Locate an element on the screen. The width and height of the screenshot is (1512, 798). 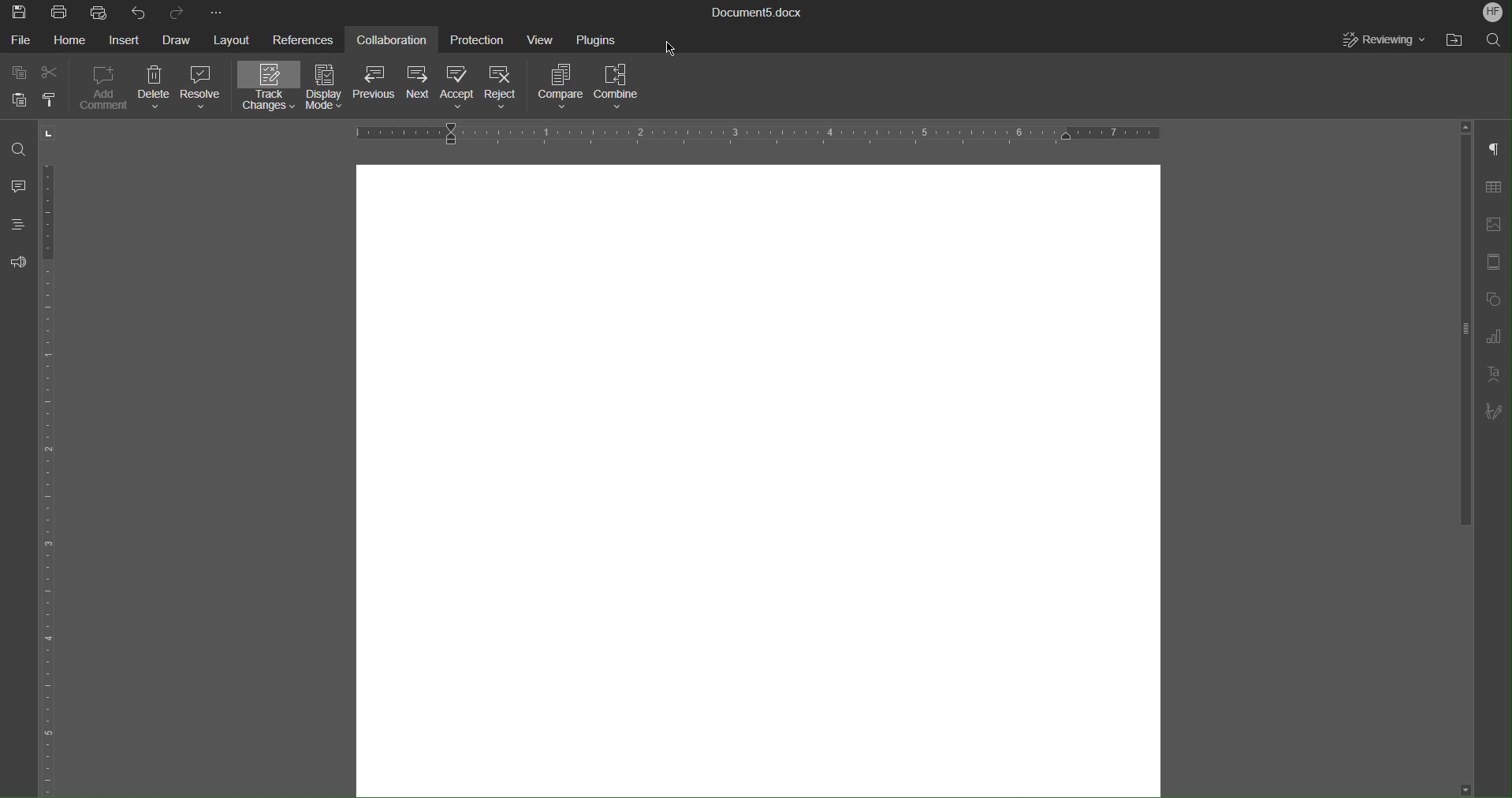
Save is located at coordinates (20, 13).